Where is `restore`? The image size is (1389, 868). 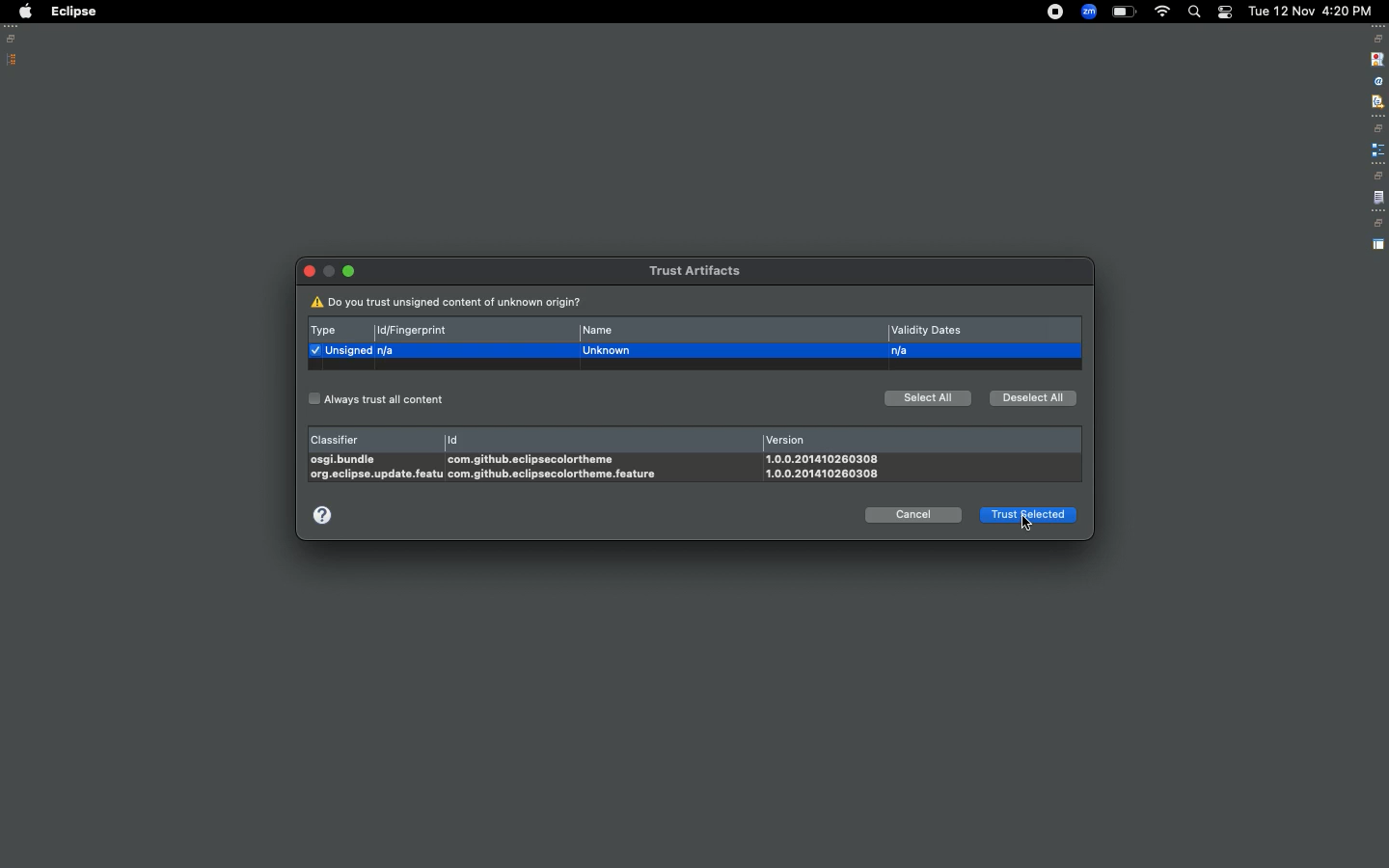 restore is located at coordinates (1379, 128).